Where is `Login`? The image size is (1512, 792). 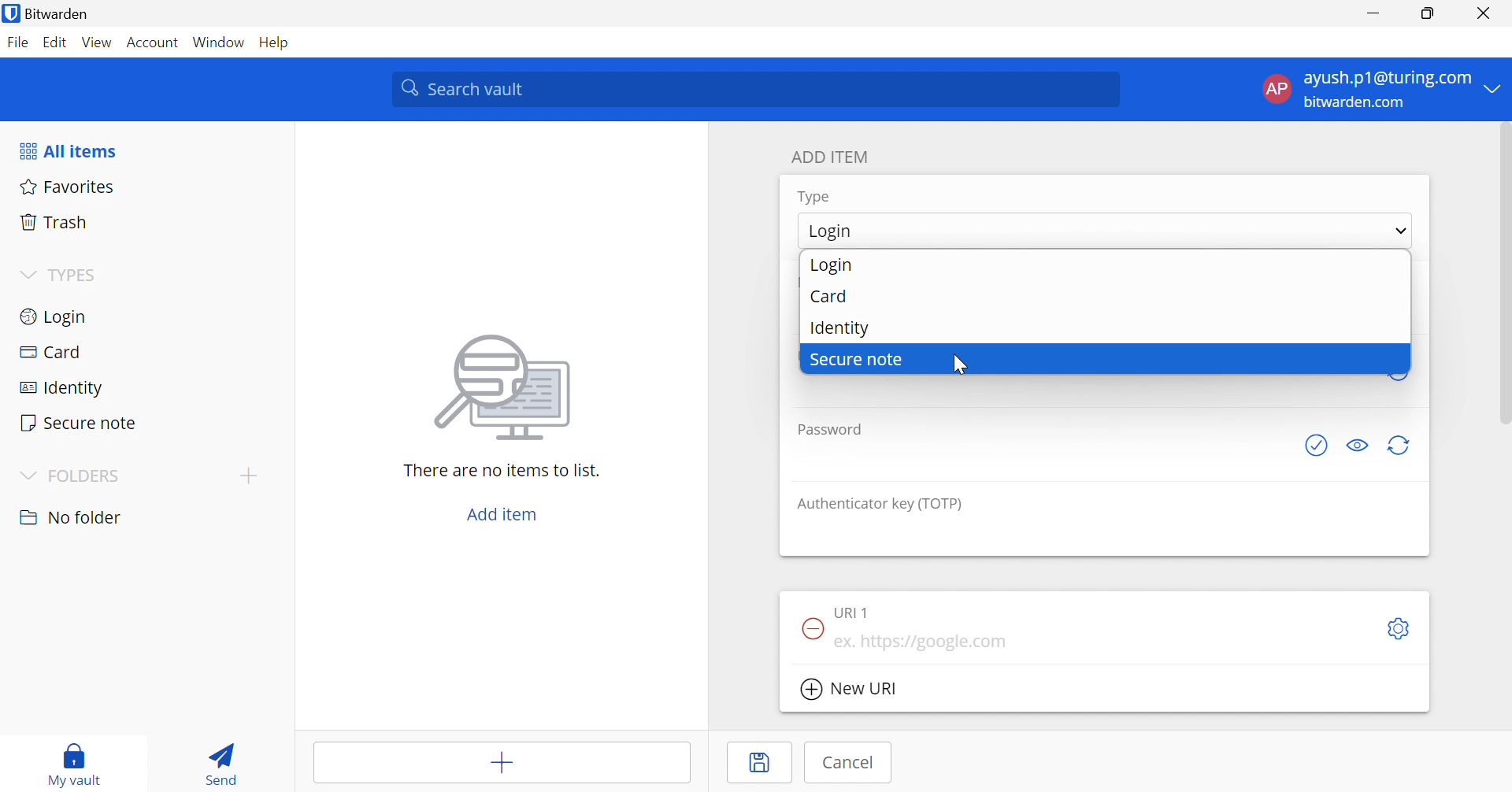 Login is located at coordinates (1104, 265).